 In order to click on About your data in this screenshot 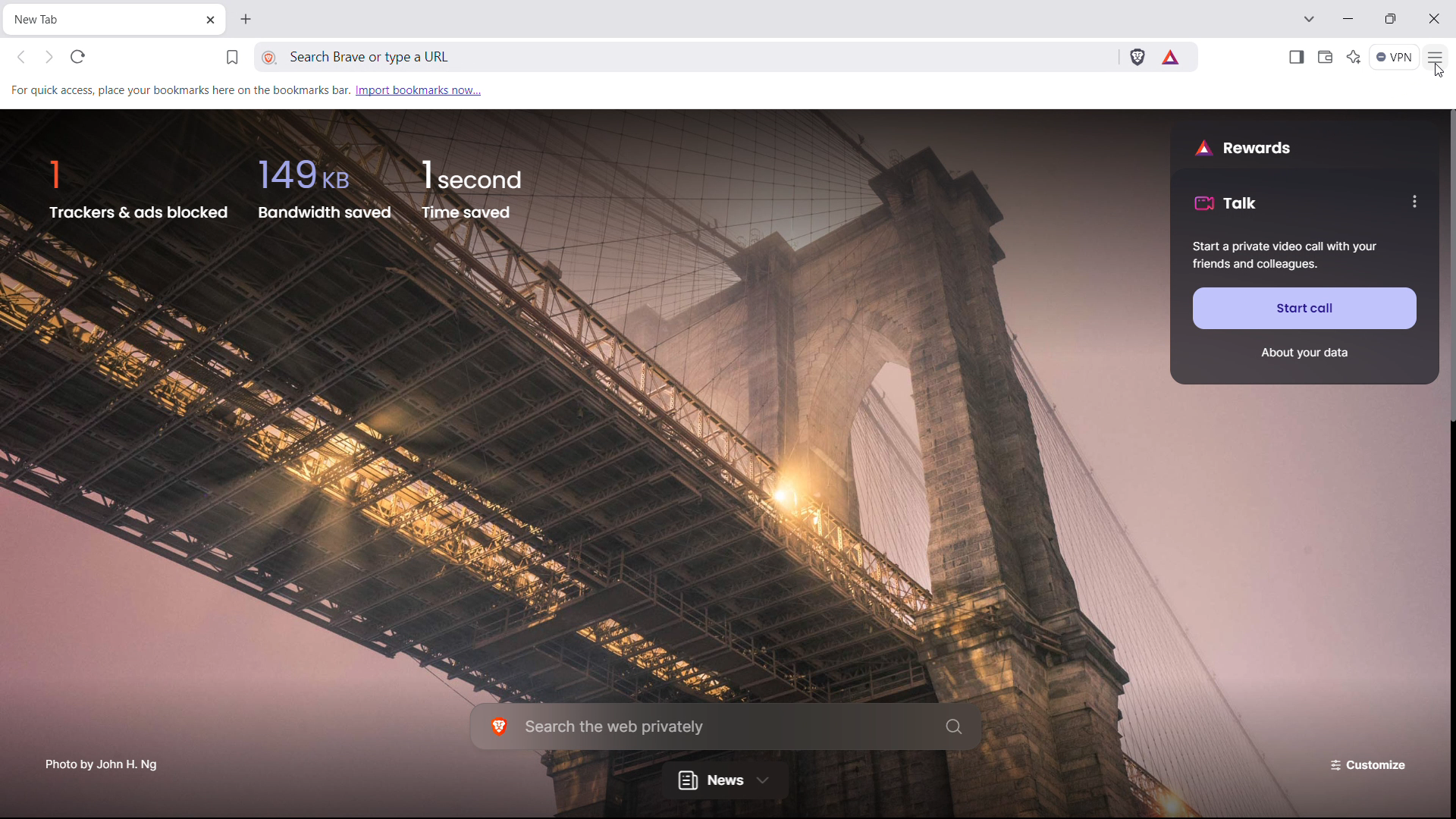, I will do `click(1298, 352)`.